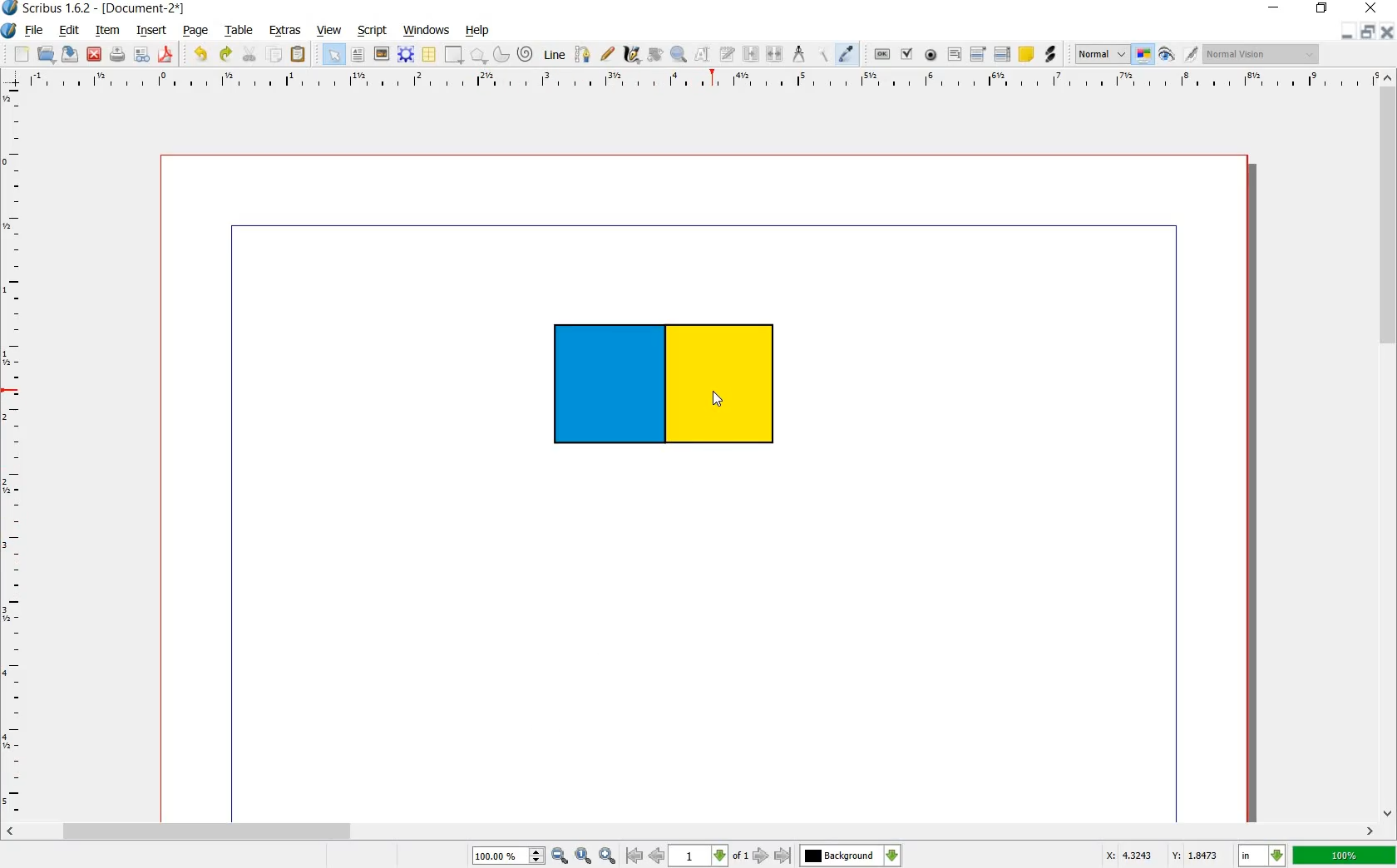 The height and width of the screenshot is (868, 1397). Describe the element at coordinates (21, 55) in the screenshot. I see `new` at that location.